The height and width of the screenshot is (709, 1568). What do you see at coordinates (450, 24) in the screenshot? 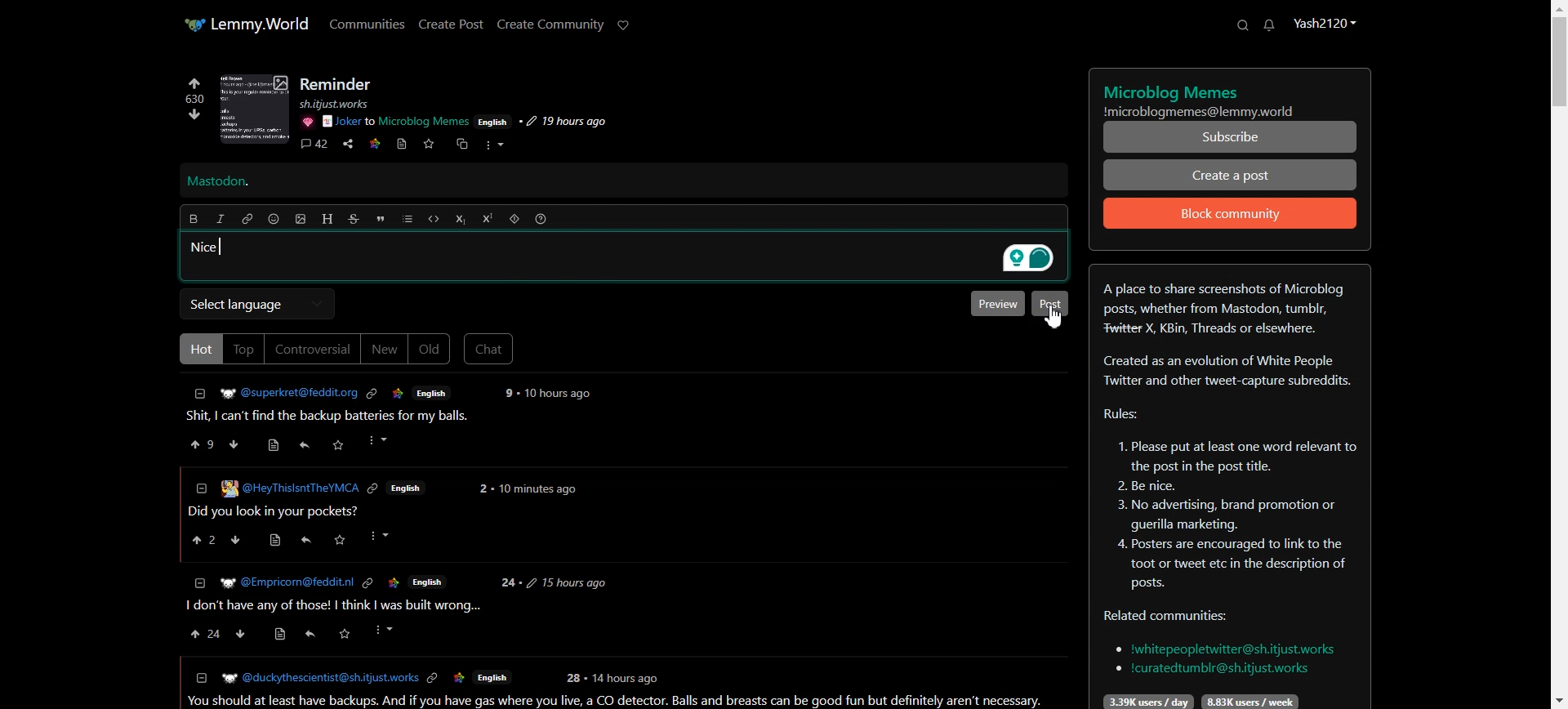
I see `Create Post` at bounding box center [450, 24].